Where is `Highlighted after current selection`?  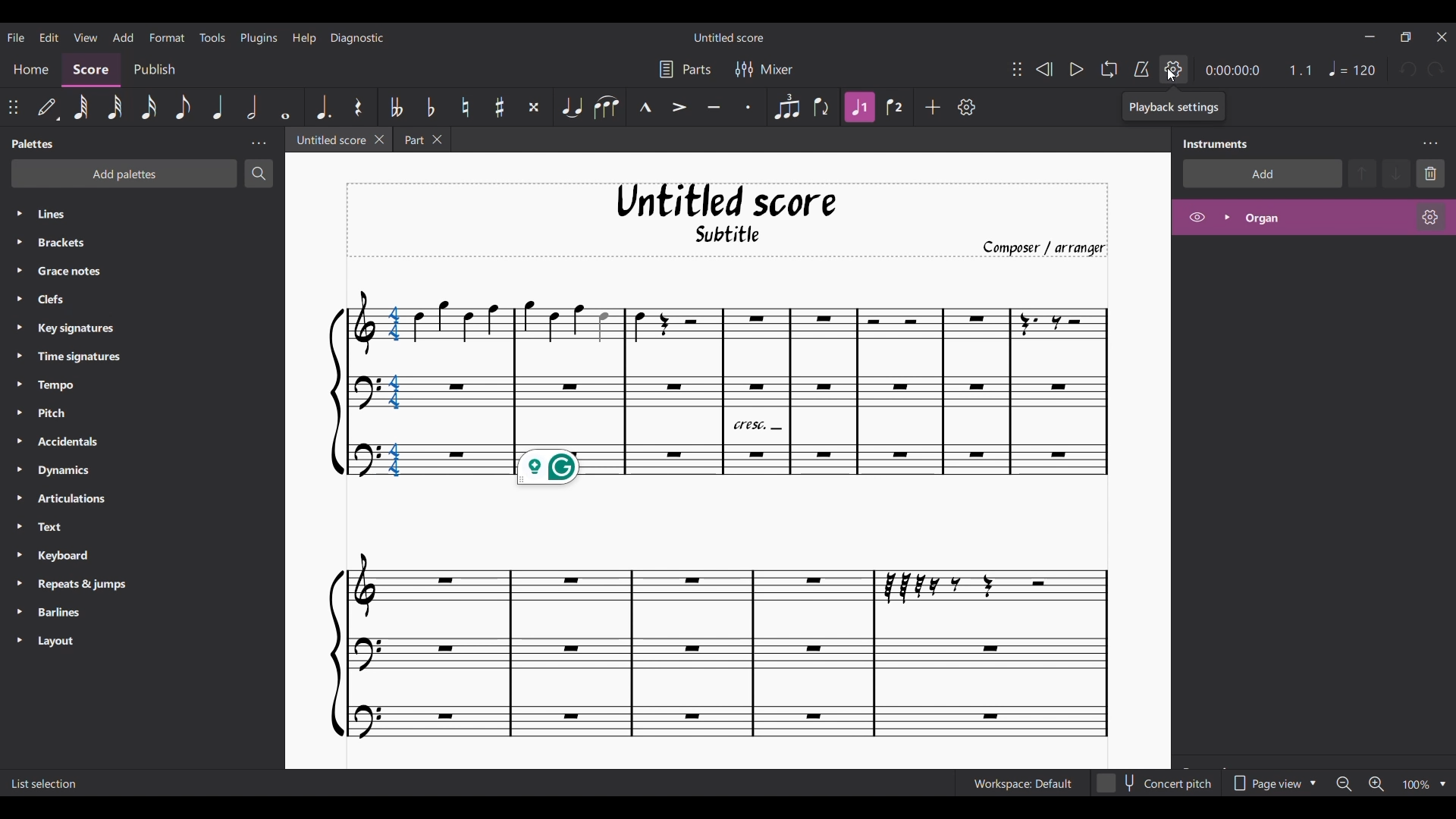
Highlighted after current selection is located at coordinates (860, 107).